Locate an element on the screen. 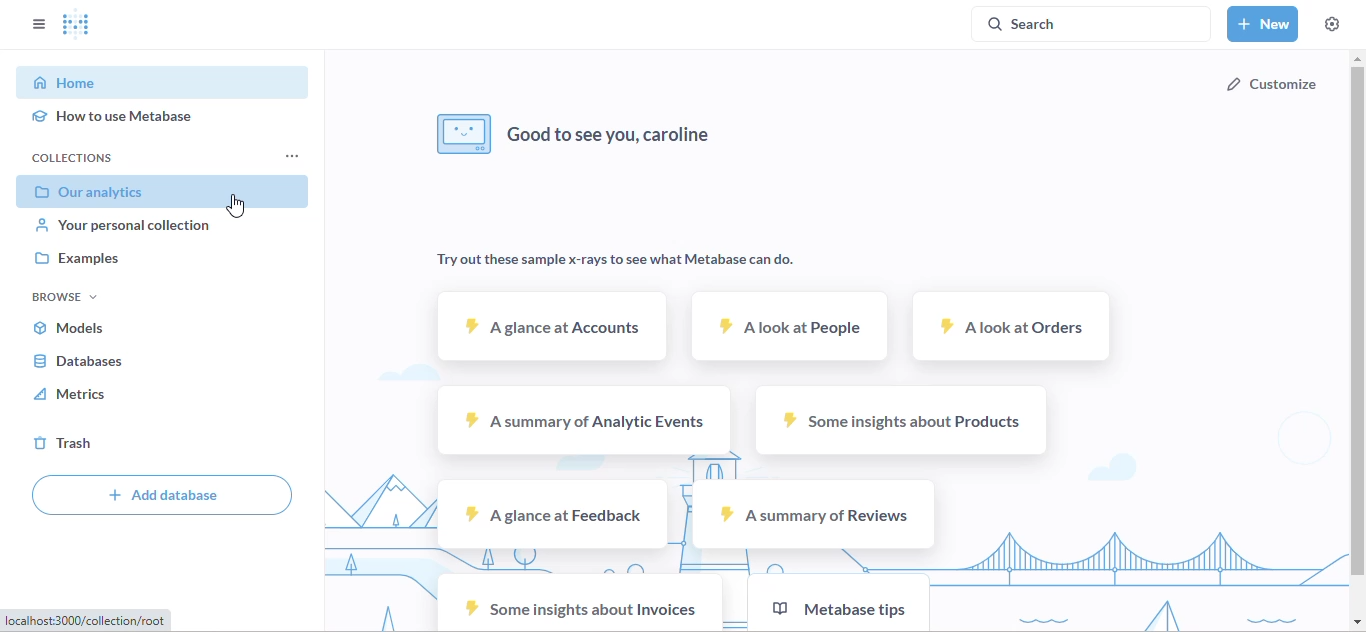 This screenshot has height=632, width=1366. cursor is located at coordinates (236, 206).